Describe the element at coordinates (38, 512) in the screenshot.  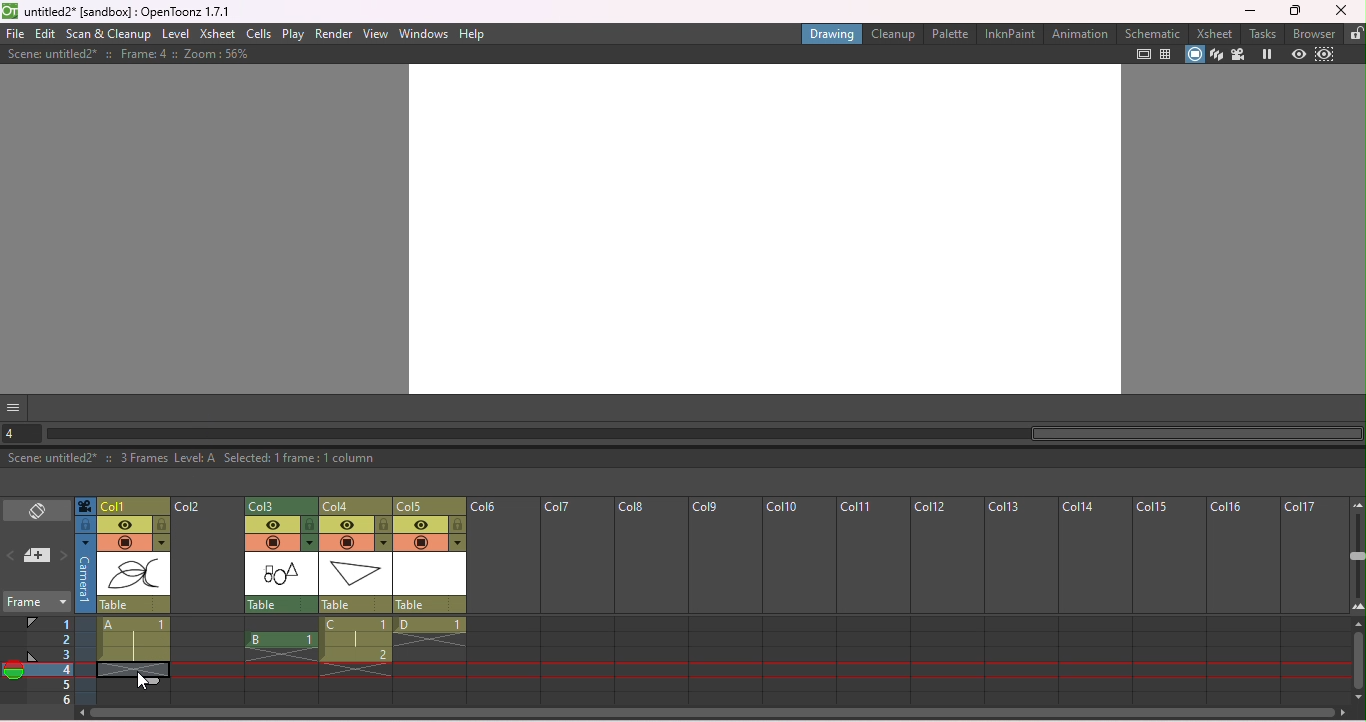
I see `Toggle Xsheet/Timeline` at that location.